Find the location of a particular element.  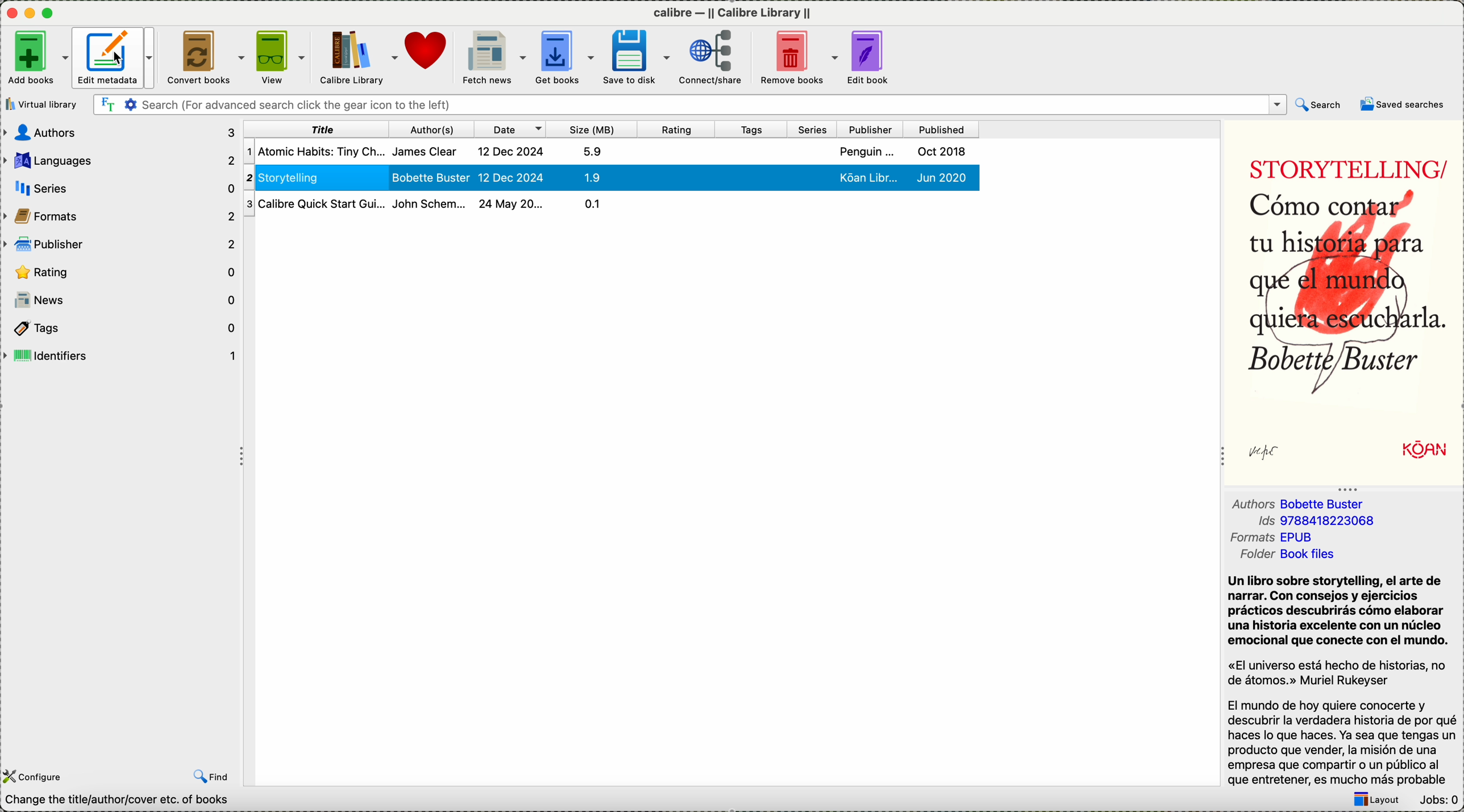

save to disk is located at coordinates (637, 58).